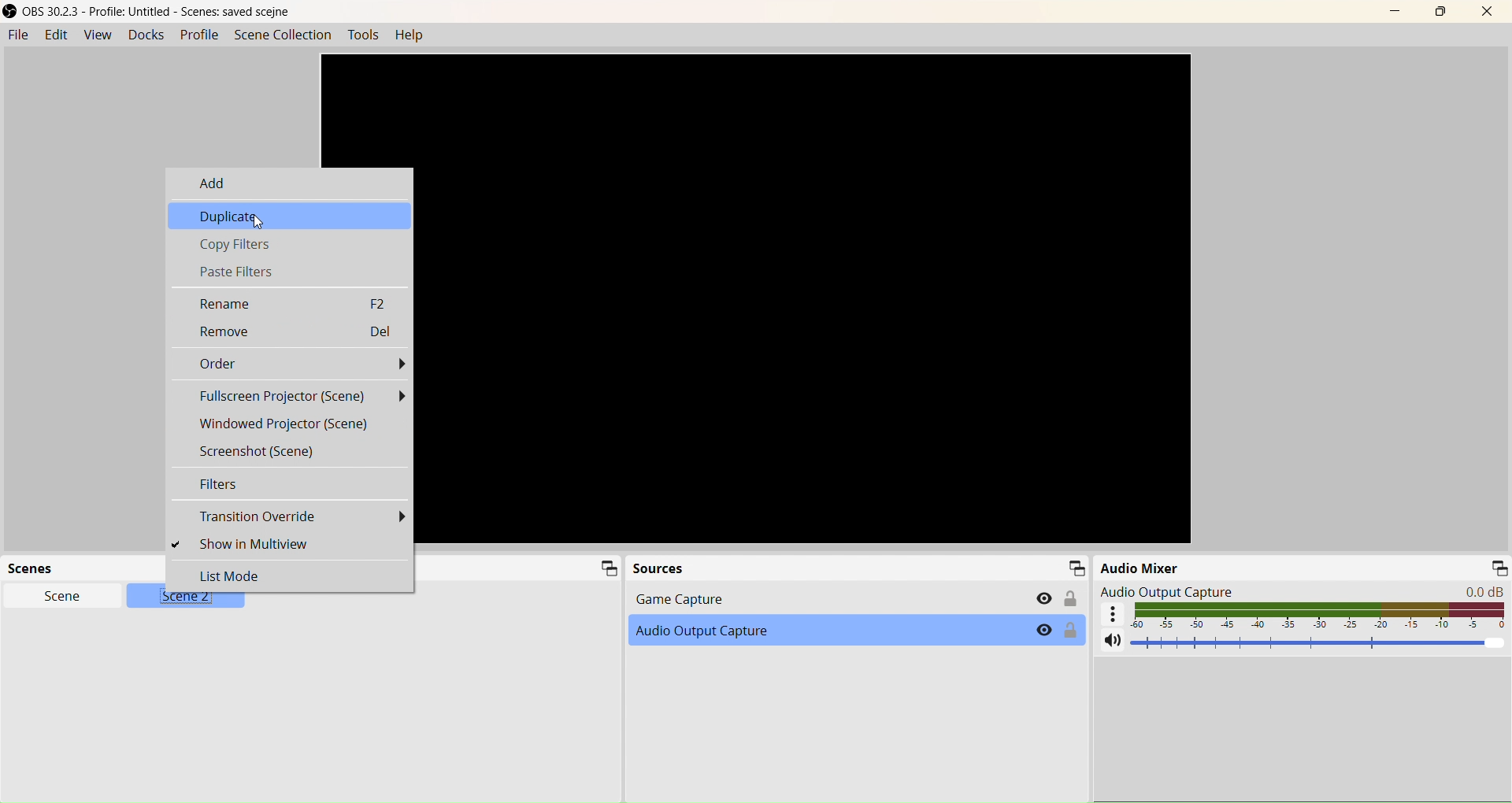 Image resolution: width=1512 pixels, height=803 pixels. I want to click on Remove, so click(288, 331).